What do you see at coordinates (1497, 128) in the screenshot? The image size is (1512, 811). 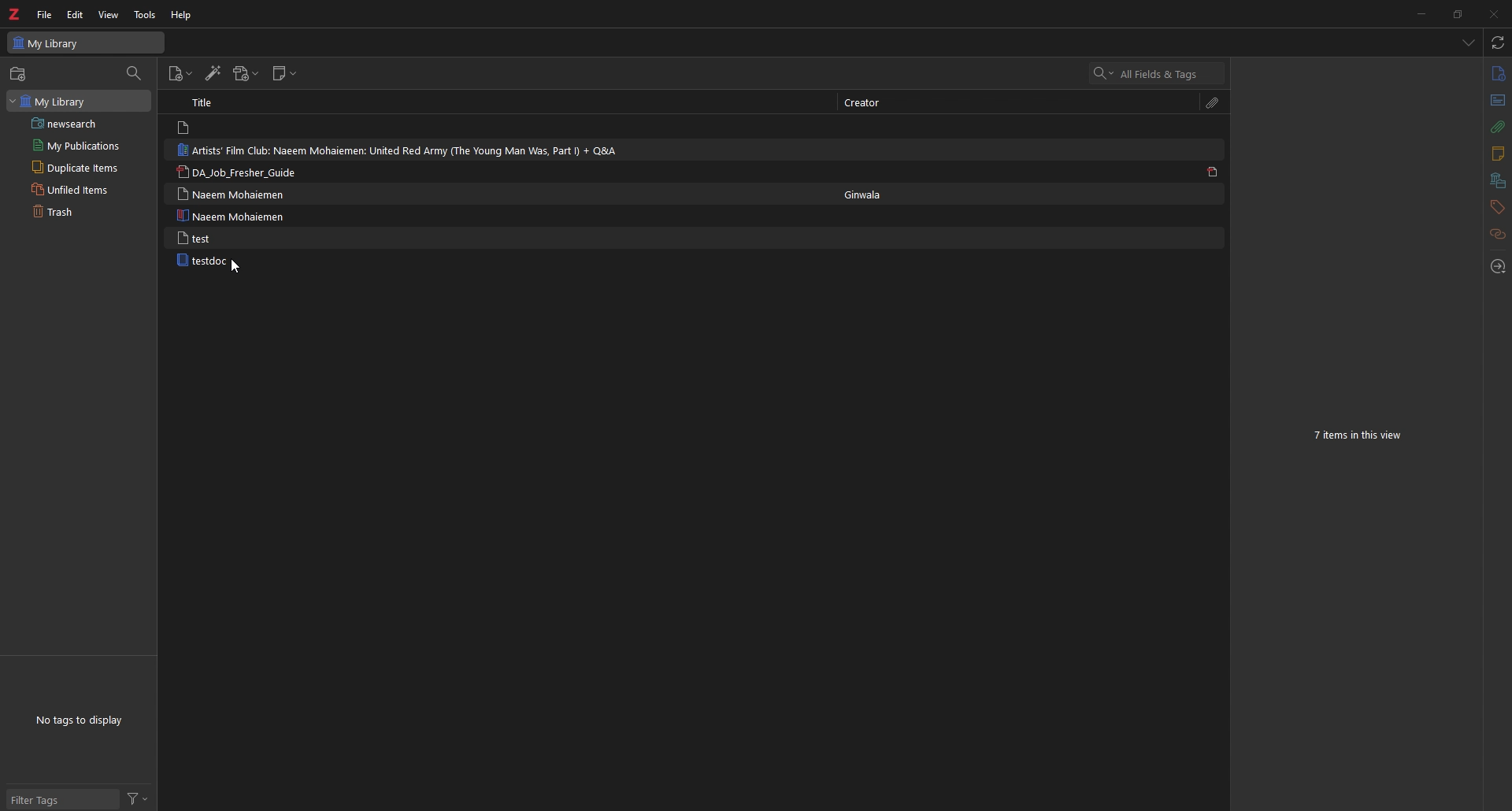 I see `attachment` at bounding box center [1497, 128].